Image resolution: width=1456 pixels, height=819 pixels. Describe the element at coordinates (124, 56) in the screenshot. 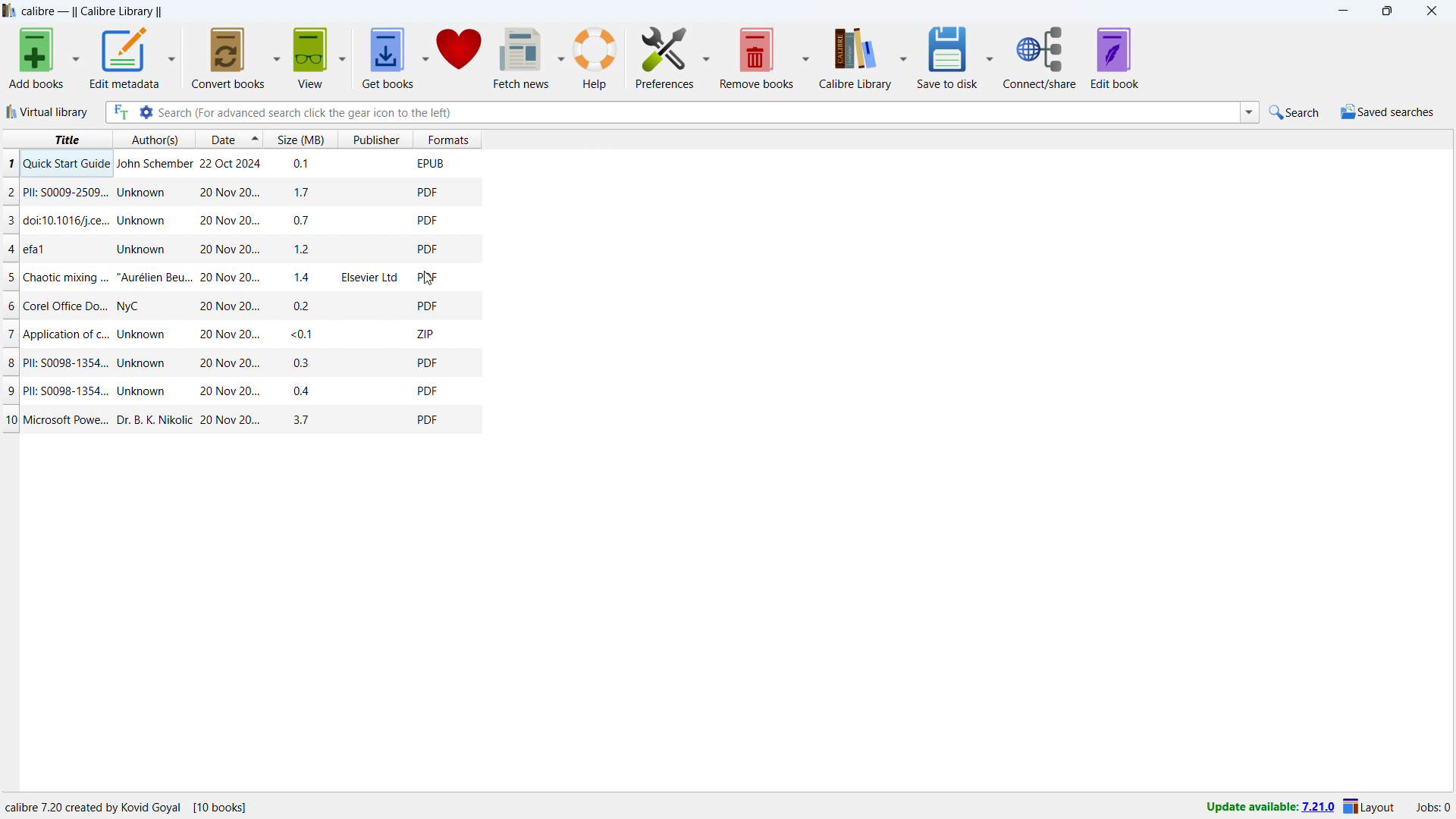

I see `edit metadata` at that location.